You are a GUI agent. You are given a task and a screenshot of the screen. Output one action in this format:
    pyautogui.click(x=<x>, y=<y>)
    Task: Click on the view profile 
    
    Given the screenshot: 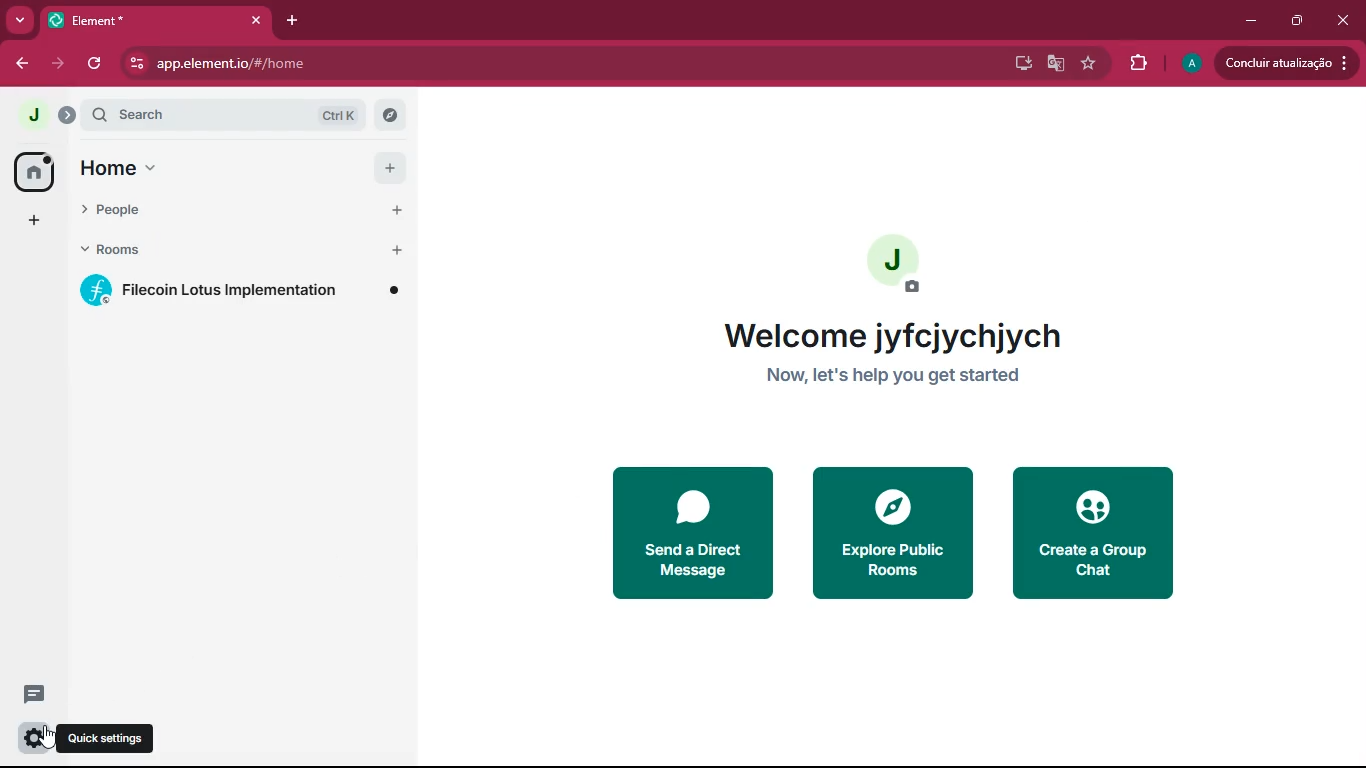 What is the action you would take?
    pyautogui.click(x=26, y=115)
    